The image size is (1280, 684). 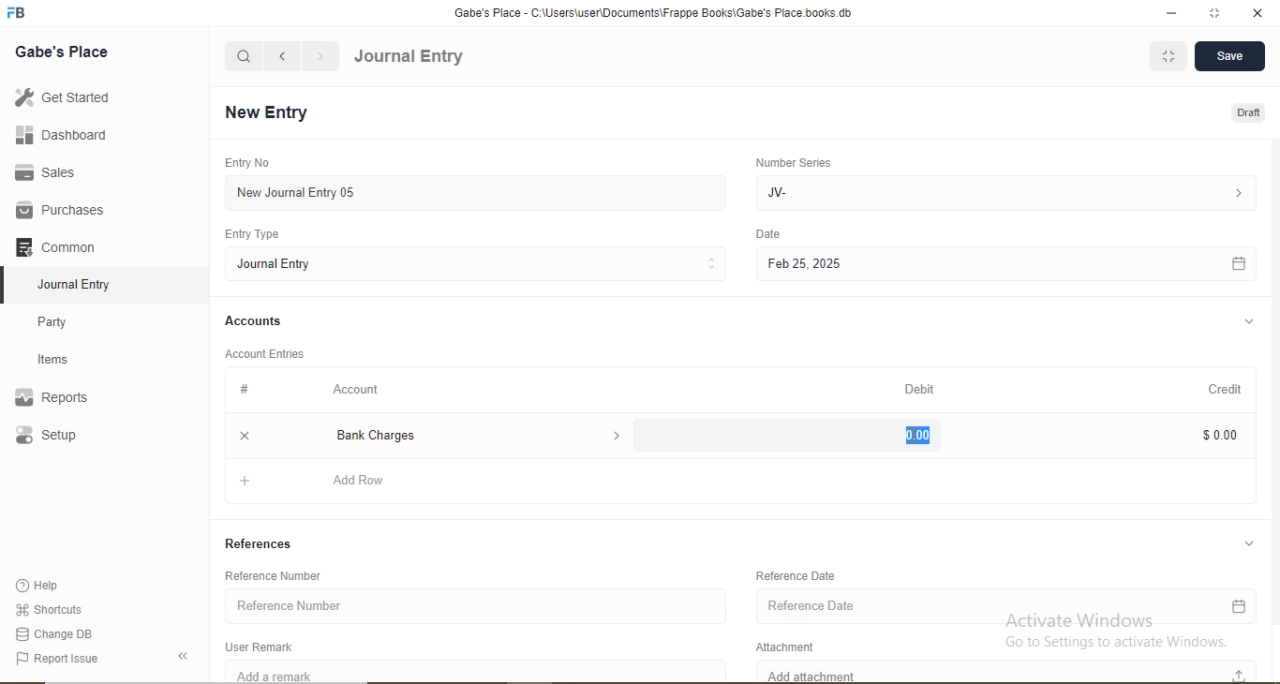 I want to click on collapse/expand, so click(x=1249, y=541).